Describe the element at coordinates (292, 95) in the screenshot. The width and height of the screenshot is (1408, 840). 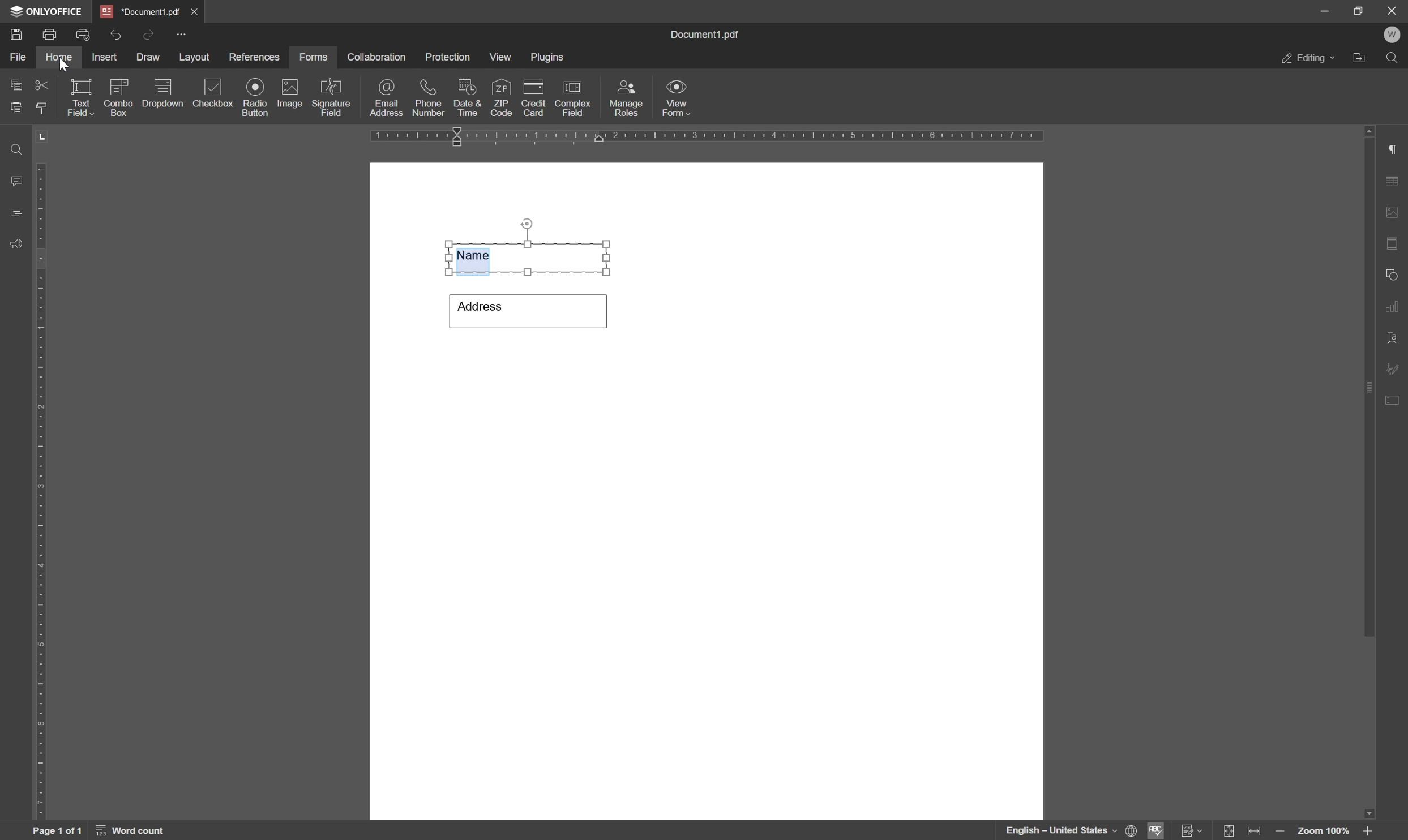
I see `image` at that location.